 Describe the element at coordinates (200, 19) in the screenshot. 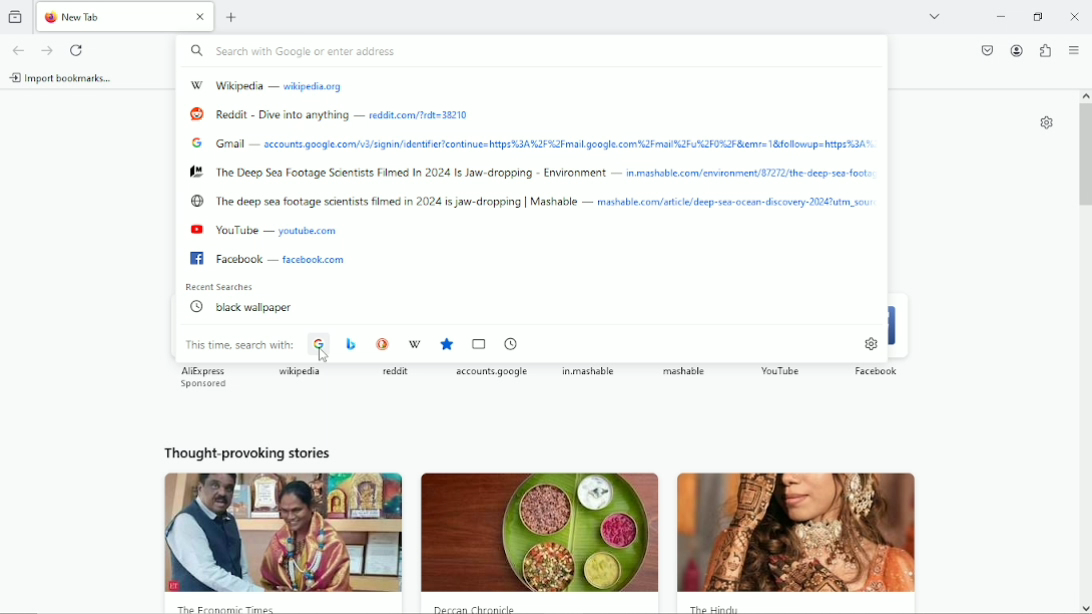

I see `close` at that location.